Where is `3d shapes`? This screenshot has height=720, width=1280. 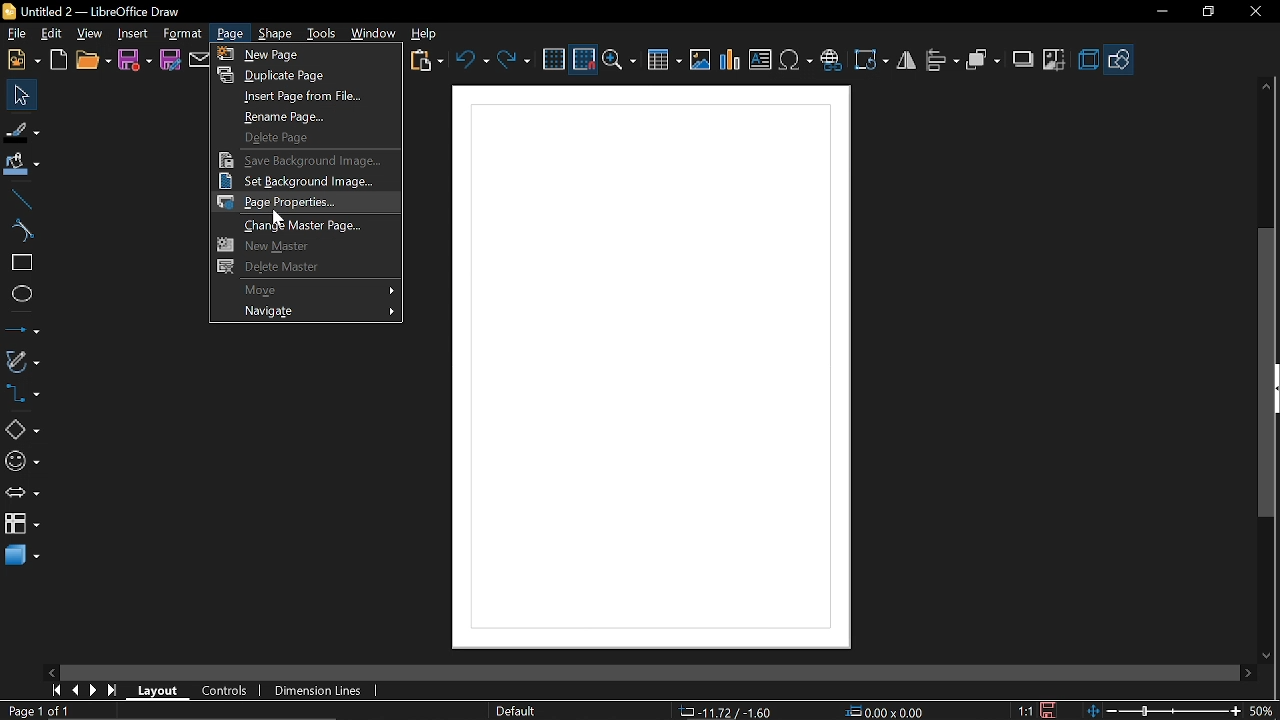
3d shapes is located at coordinates (22, 556).